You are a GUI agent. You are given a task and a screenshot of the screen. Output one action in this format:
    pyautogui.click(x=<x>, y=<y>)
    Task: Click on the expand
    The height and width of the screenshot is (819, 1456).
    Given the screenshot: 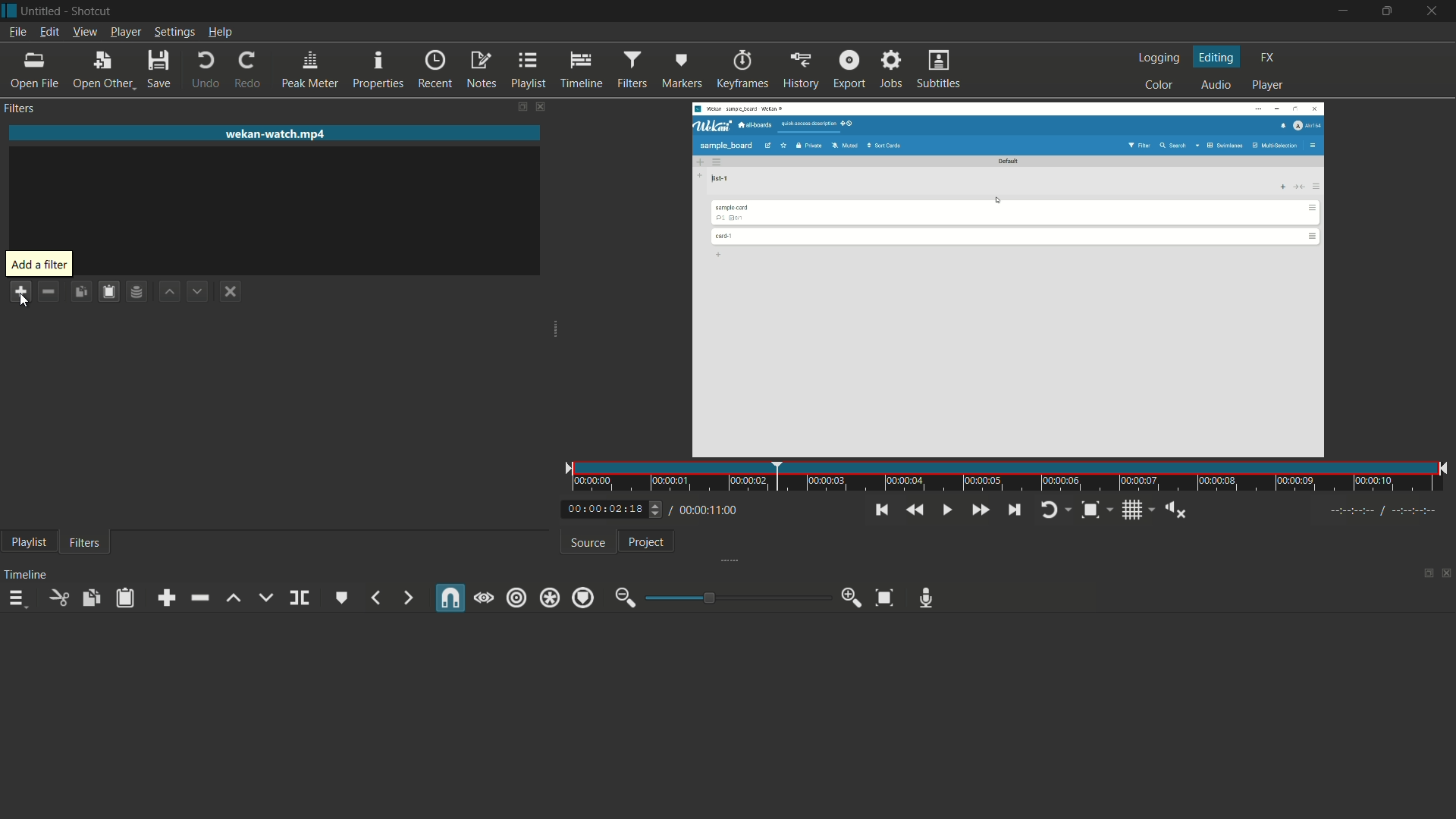 What is the action you would take?
    pyautogui.click(x=736, y=559)
    